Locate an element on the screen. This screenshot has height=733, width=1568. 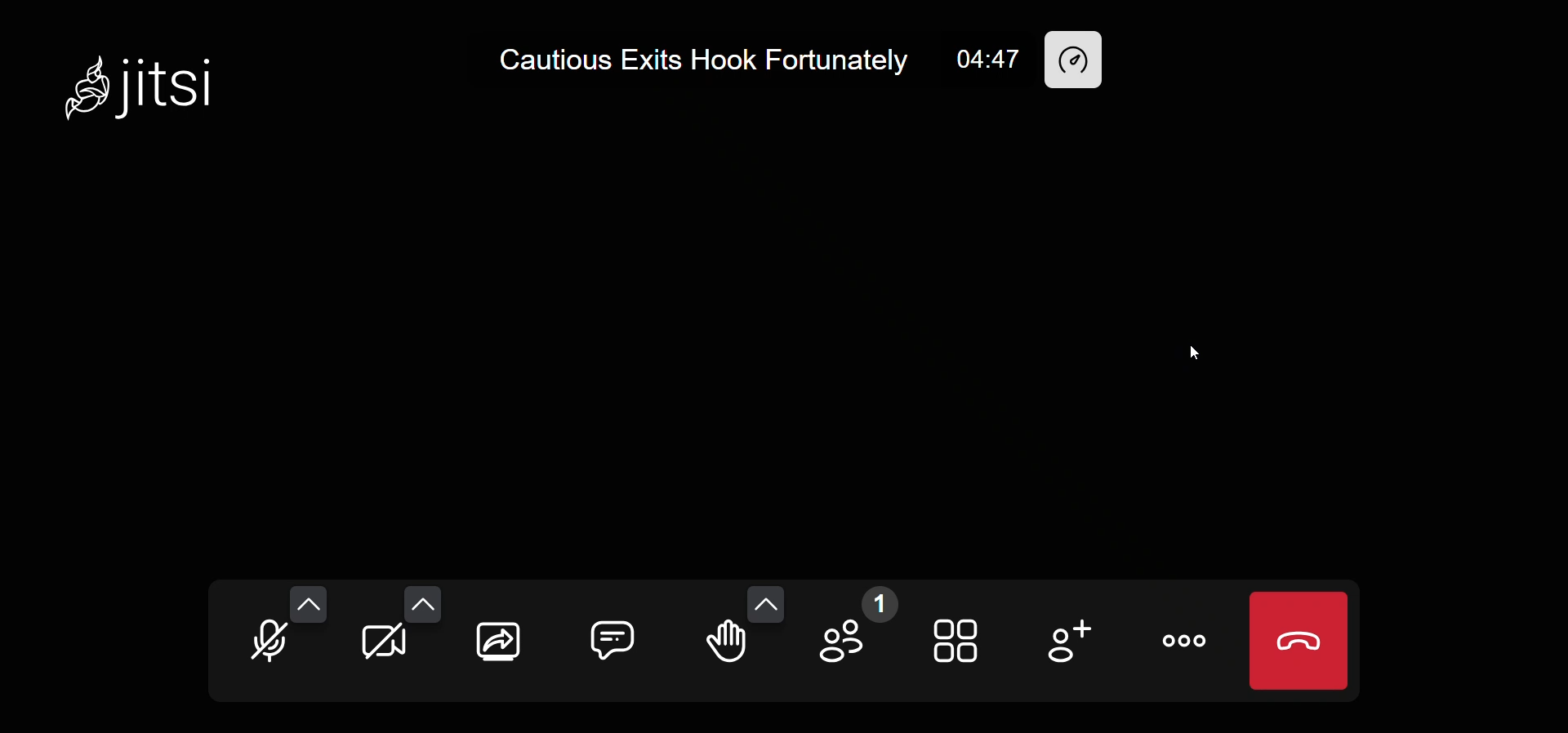
leave call is located at coordinates (1298, 637).